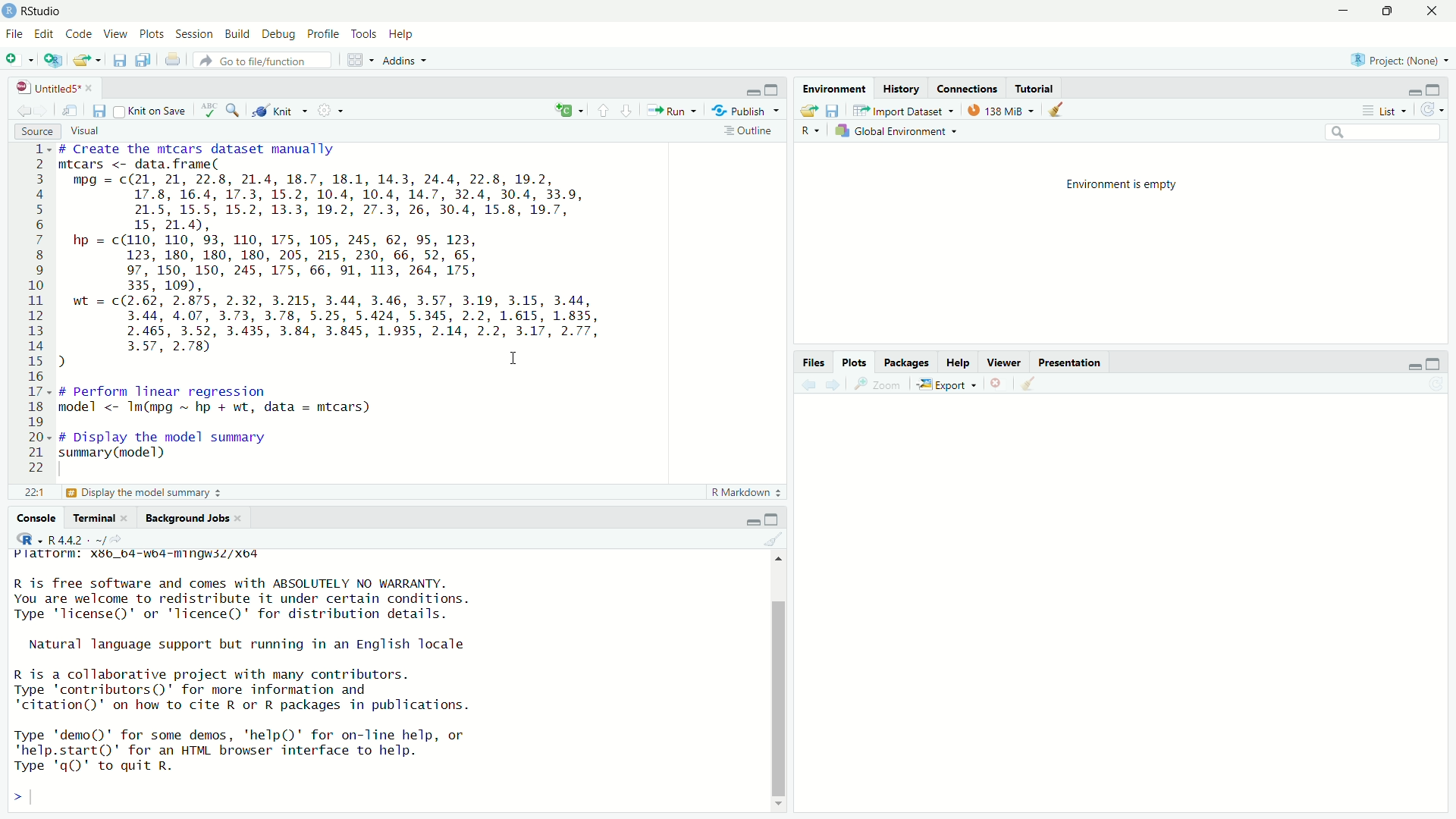 The height and width of the screenshot is (819, 1456). What do you see at coordinates (208, 111) in the screenshot?
I see `check spelling` at bounding box center [208, 111].